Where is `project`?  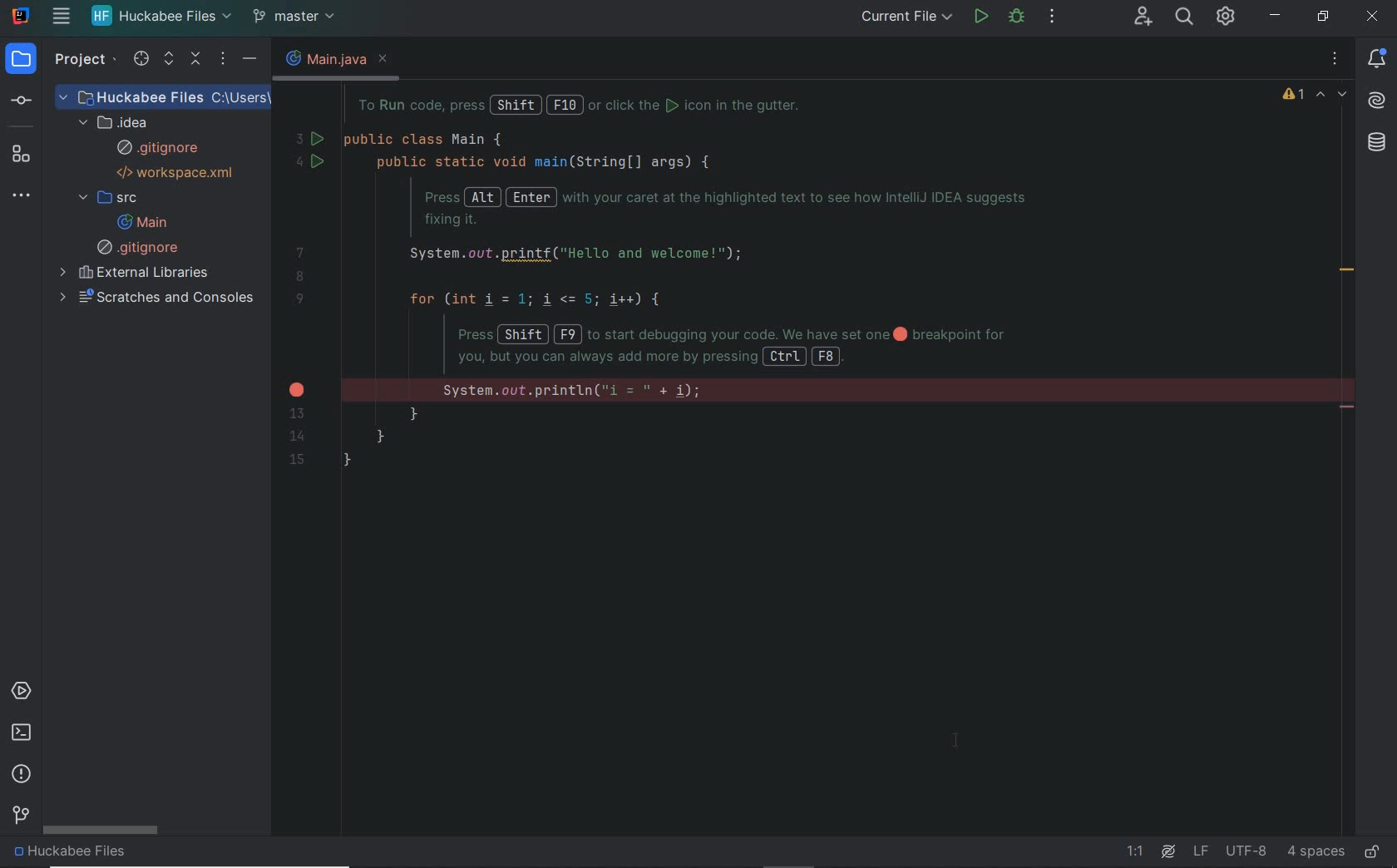 project is located at coordinates (23, 60).